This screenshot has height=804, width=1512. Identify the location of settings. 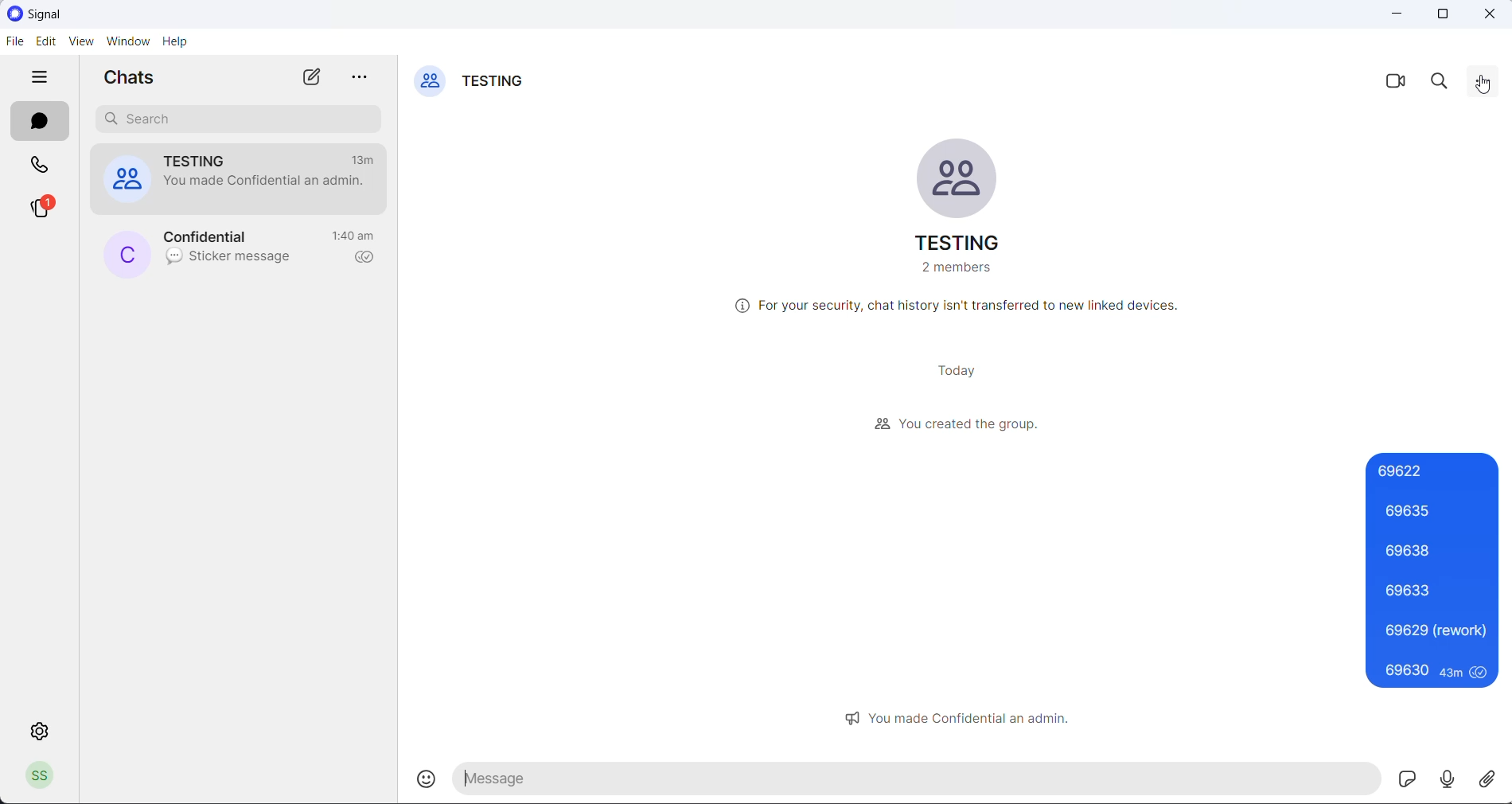
(39, 732).